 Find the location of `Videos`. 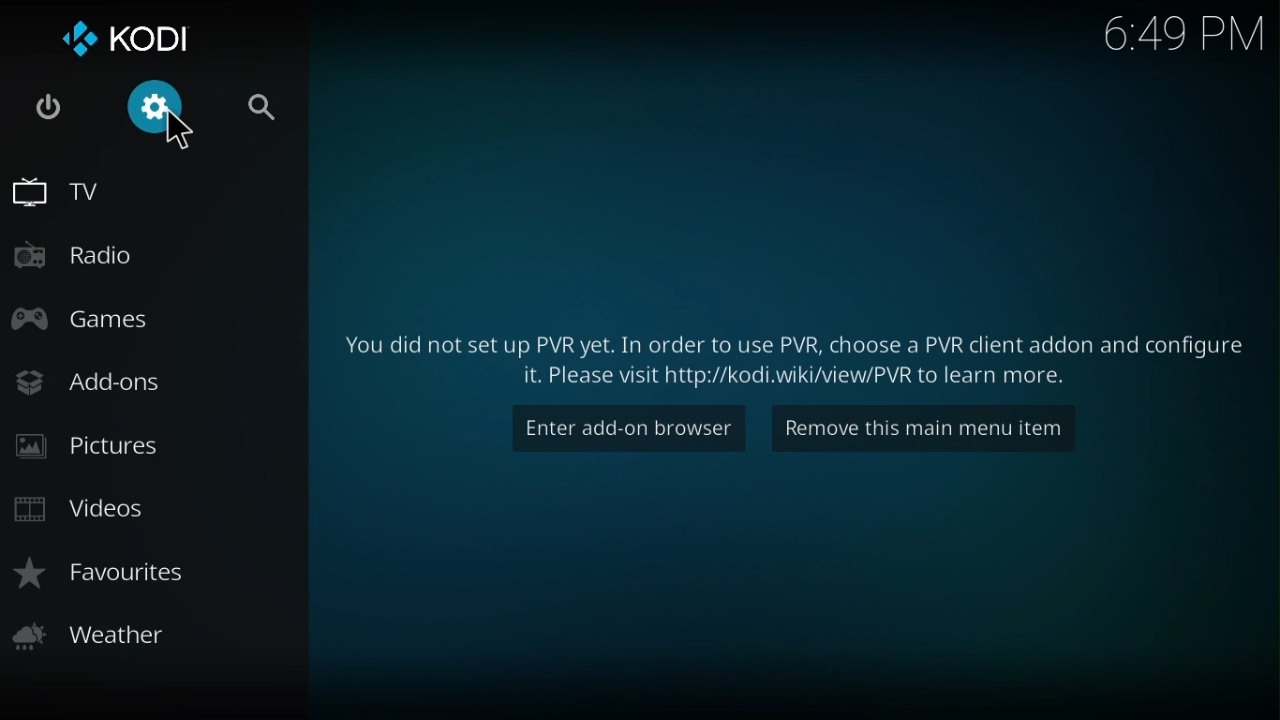

Videos is located at coordinates (98, 511).